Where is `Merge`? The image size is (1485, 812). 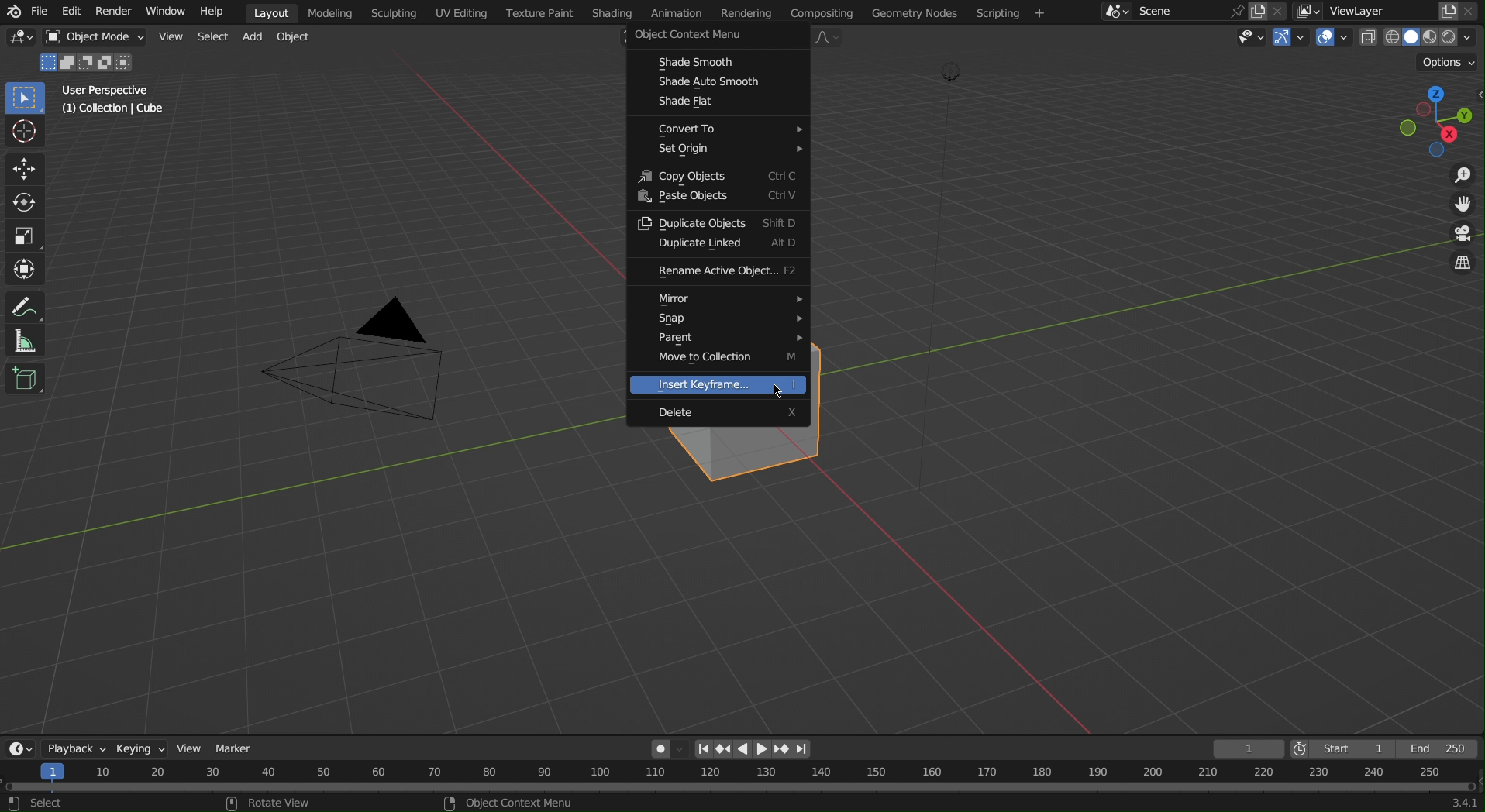
Merge is located at coordinates (68, 61).